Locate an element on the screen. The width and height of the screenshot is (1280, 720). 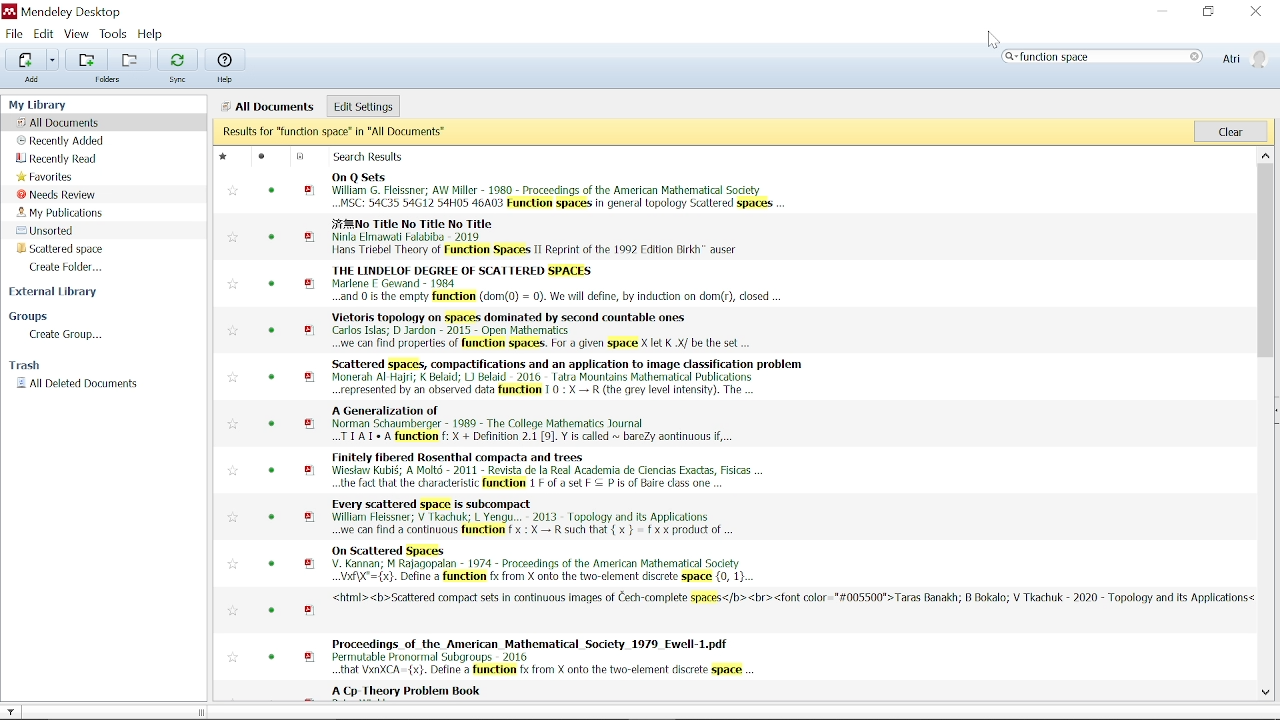
Filter is located at coordinates (12, 711).